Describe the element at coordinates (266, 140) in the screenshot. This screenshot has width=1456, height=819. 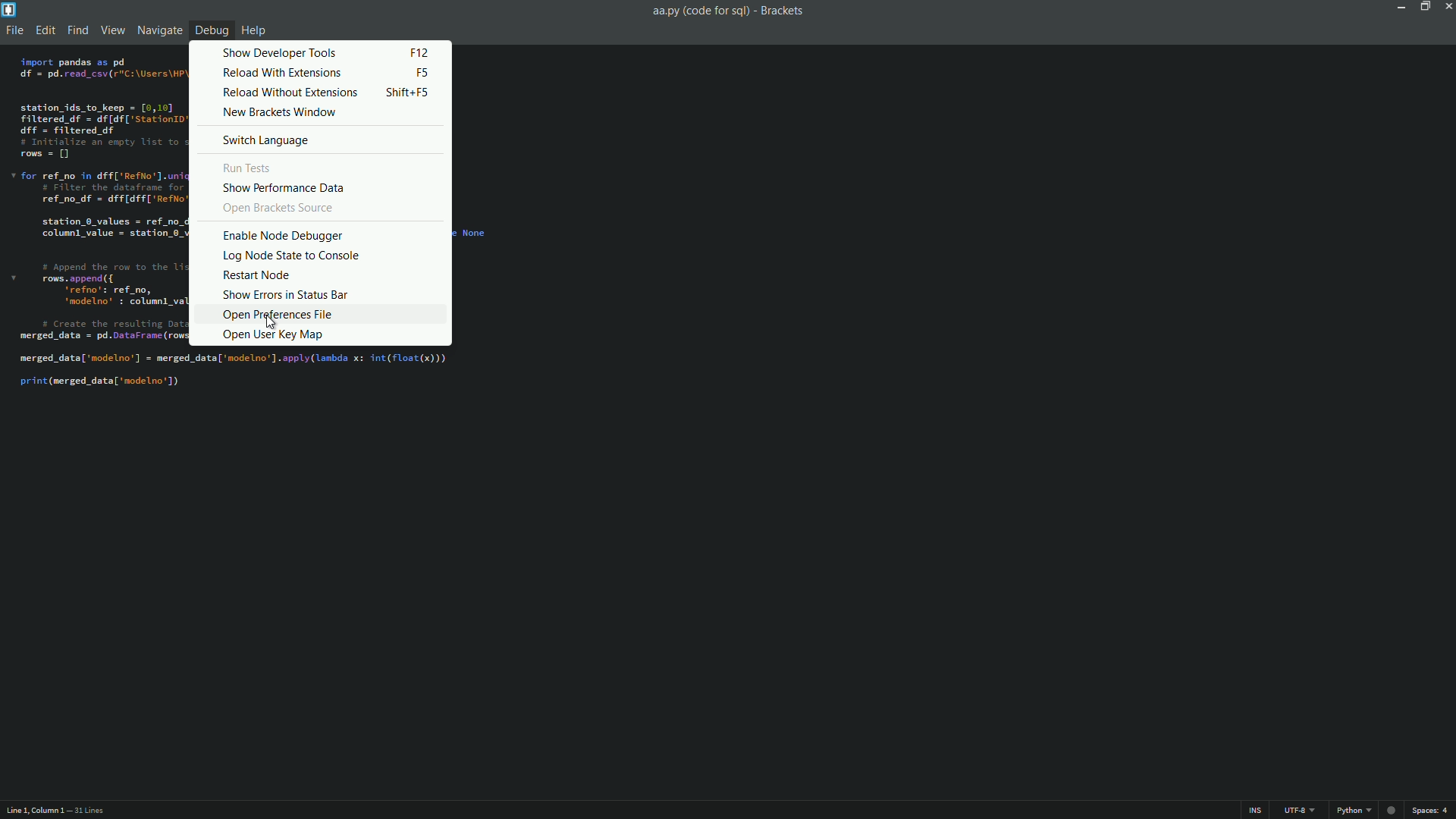
I see `switch language` at that location.